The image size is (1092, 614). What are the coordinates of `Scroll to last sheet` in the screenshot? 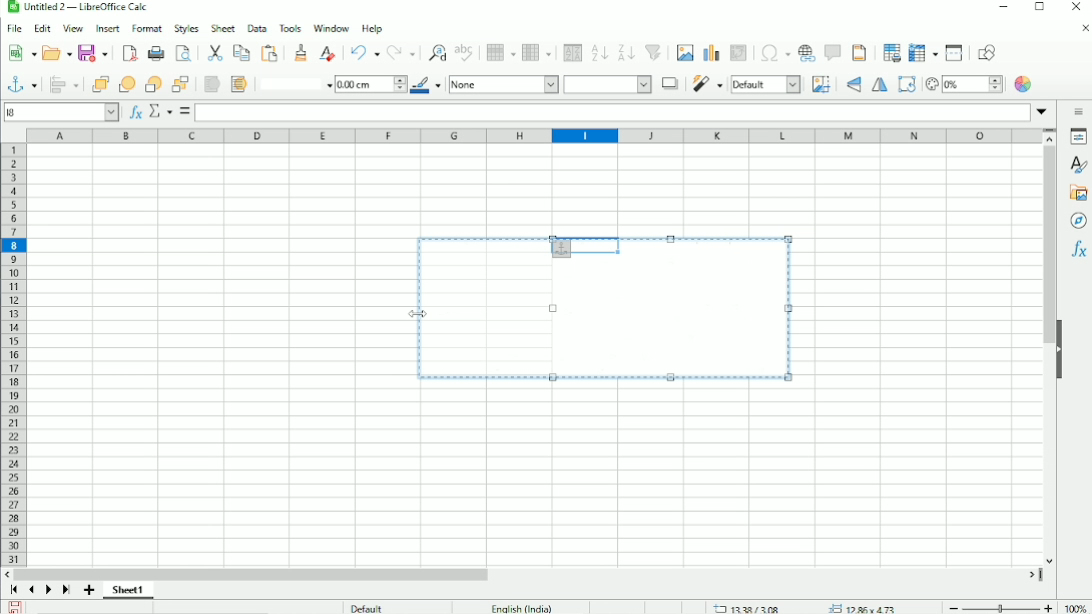 It's located at (66, 591).